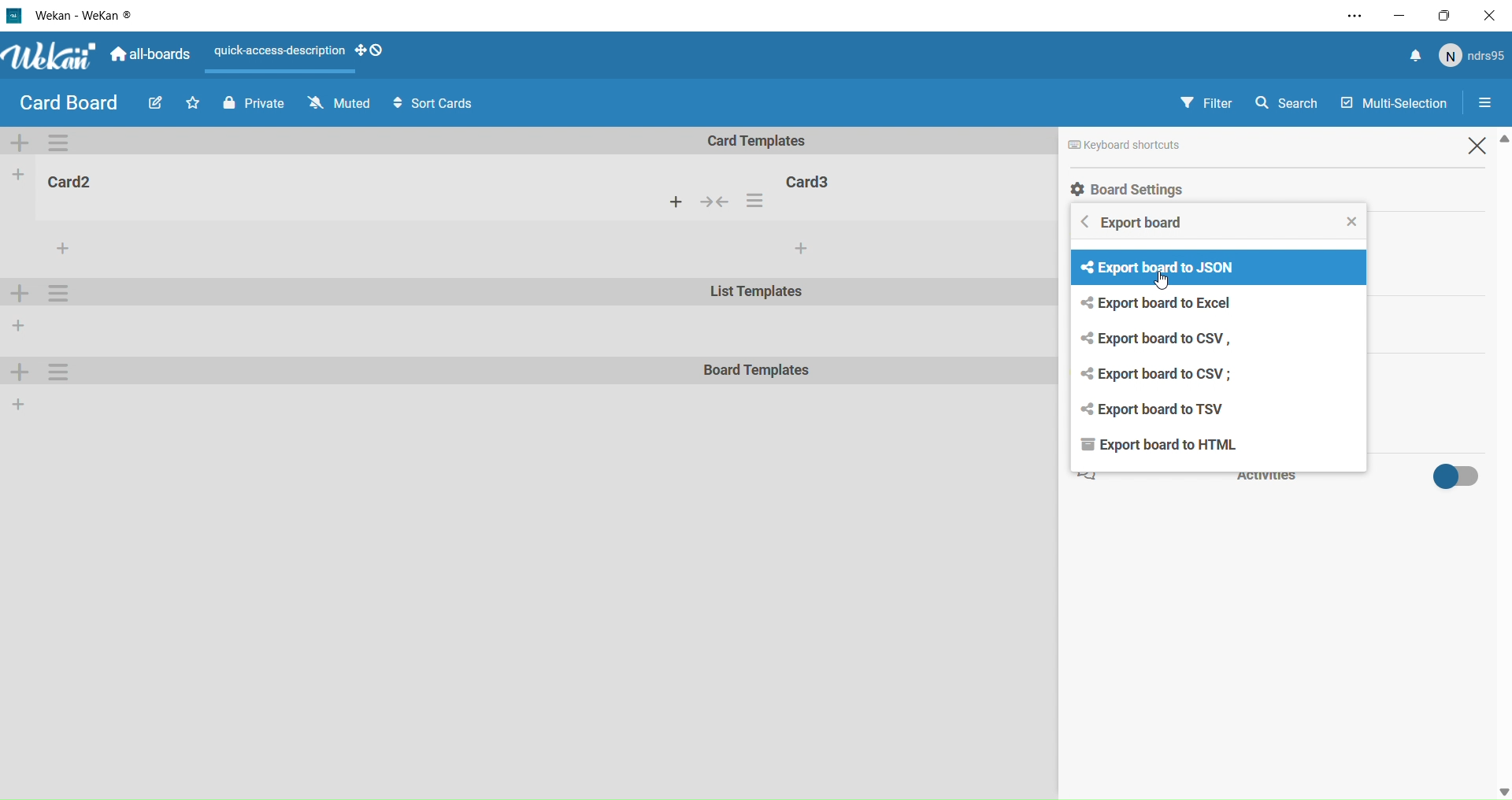  I want to click on , so click(1415, 58).